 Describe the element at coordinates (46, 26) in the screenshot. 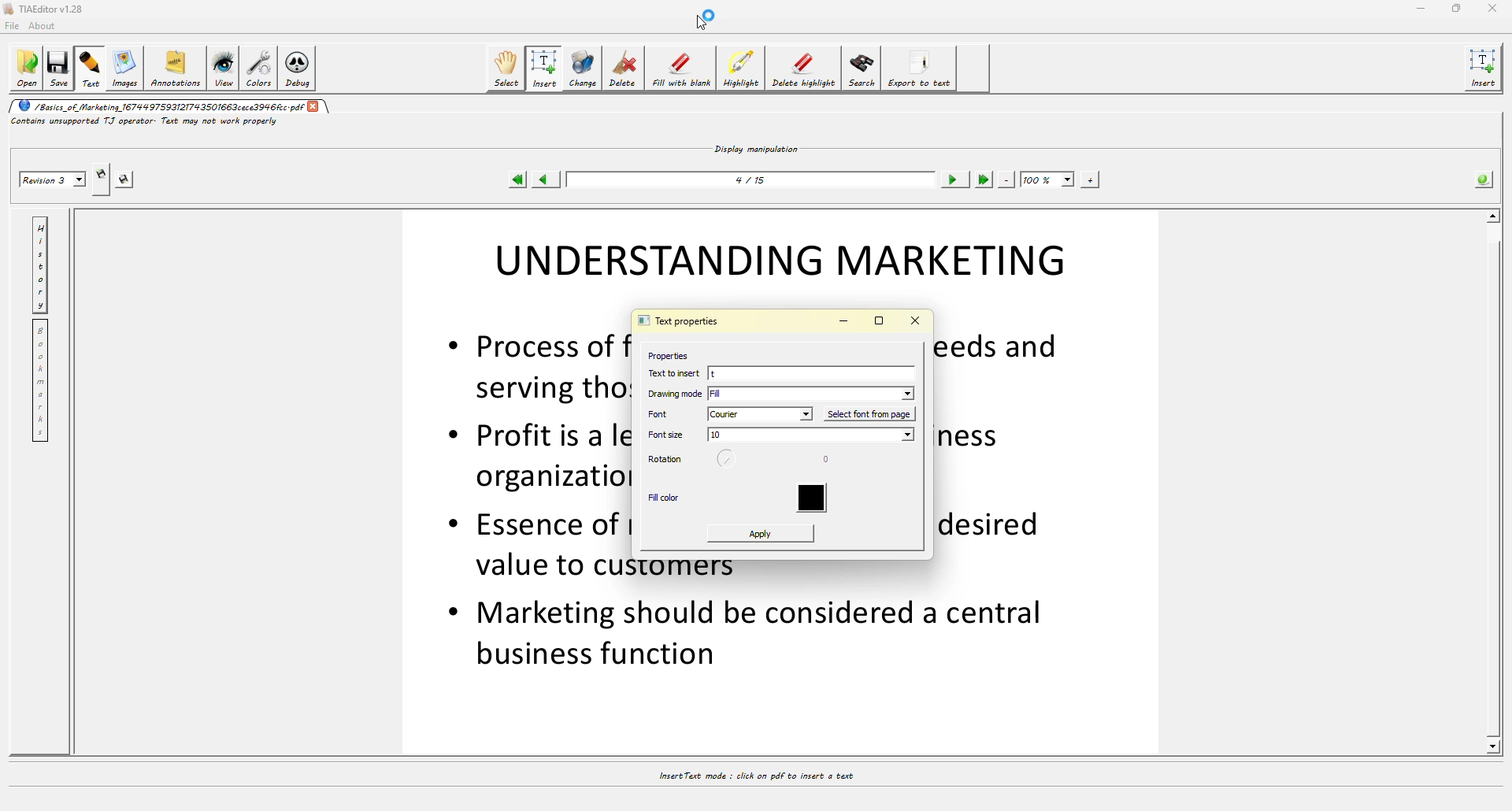

I see `about` at that location.